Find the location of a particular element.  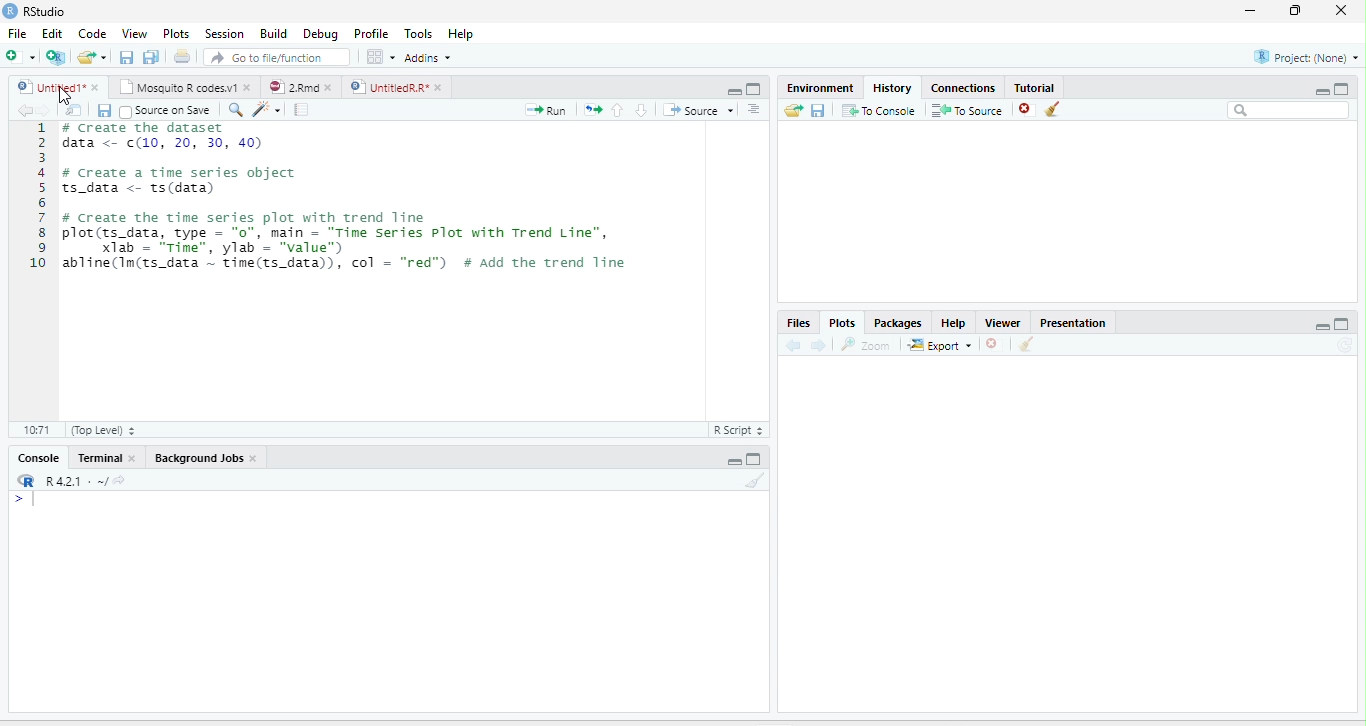

Code is located at coordinates (93, 33).